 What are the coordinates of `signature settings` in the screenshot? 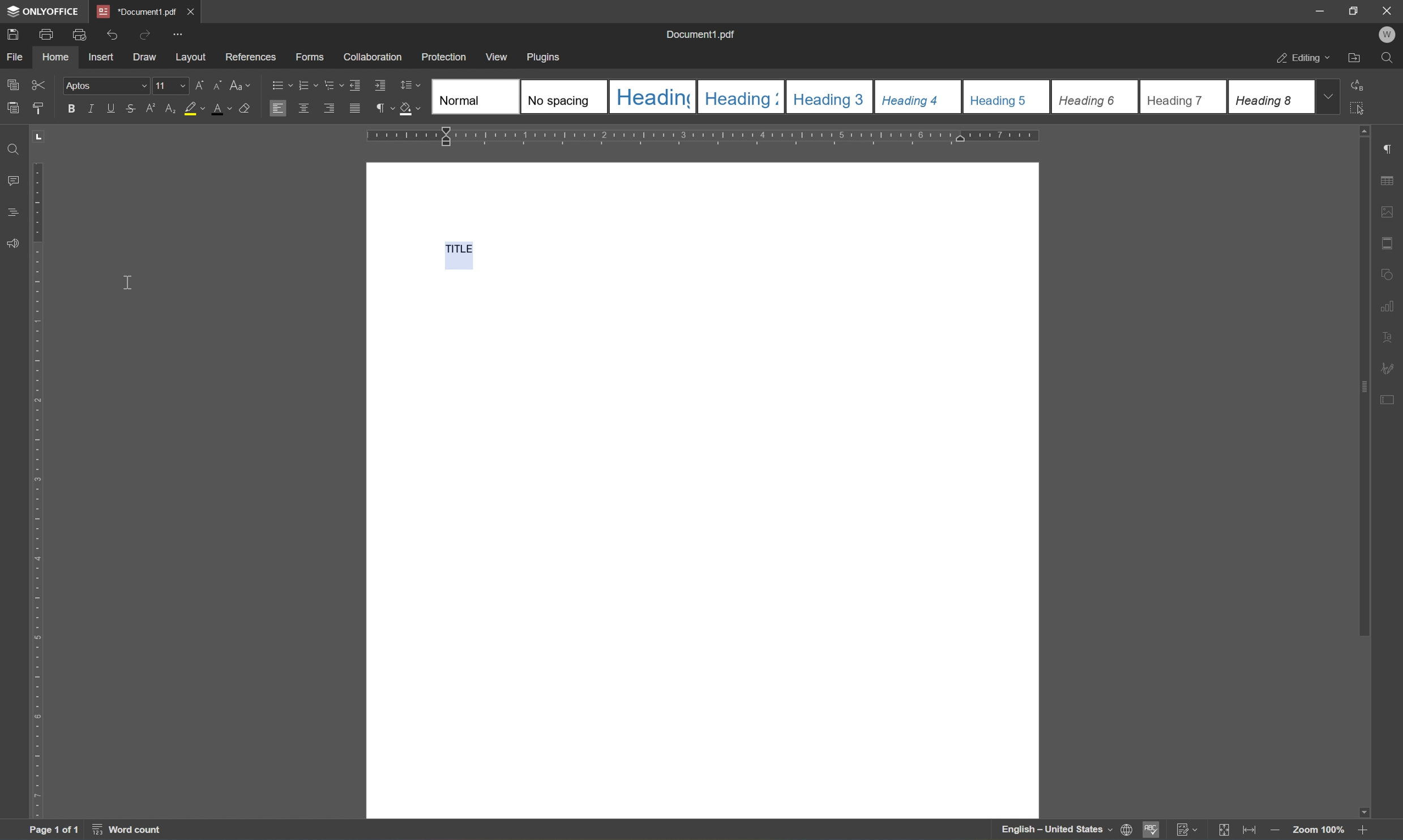 It's located at (1388, 368).